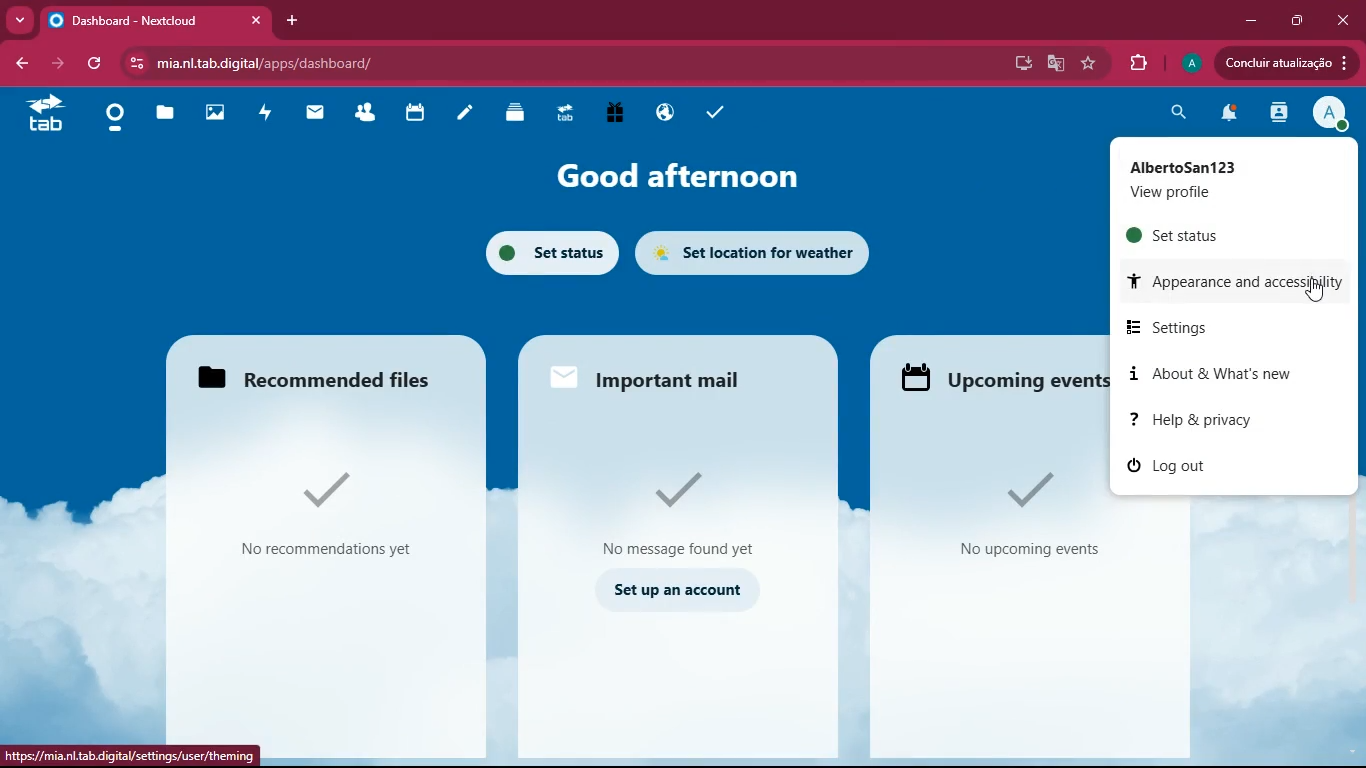 Image resolution: width=1366 pixels, height=768 pixels. What do you see at coordinates (222, 115) in the screenshot?
I see `images` at bounding box center [222, 115].